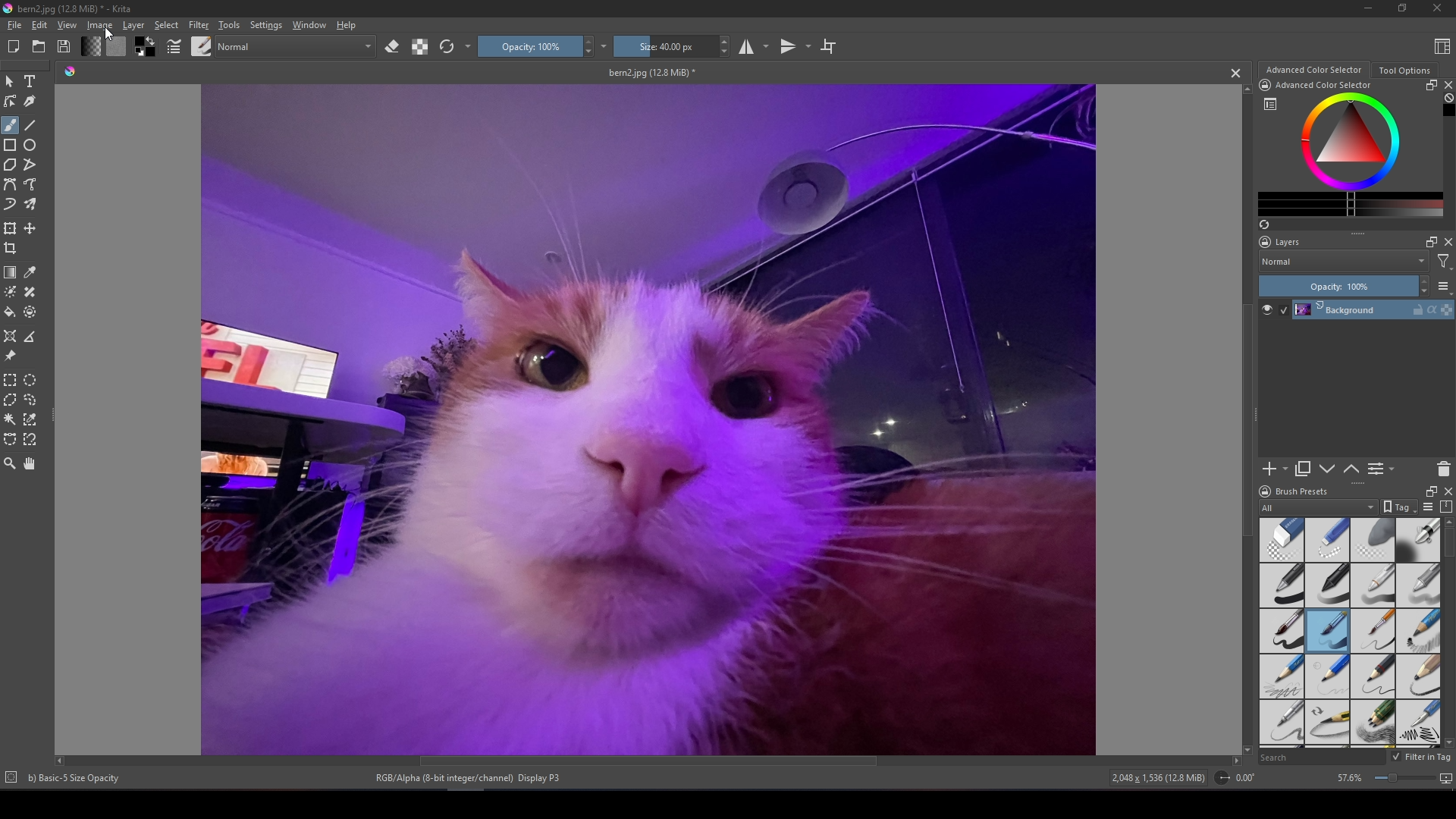 The image size is (1456, 819). Describe the element at coordinates (167, 25) in the screenshot. I see `Select` at that location.